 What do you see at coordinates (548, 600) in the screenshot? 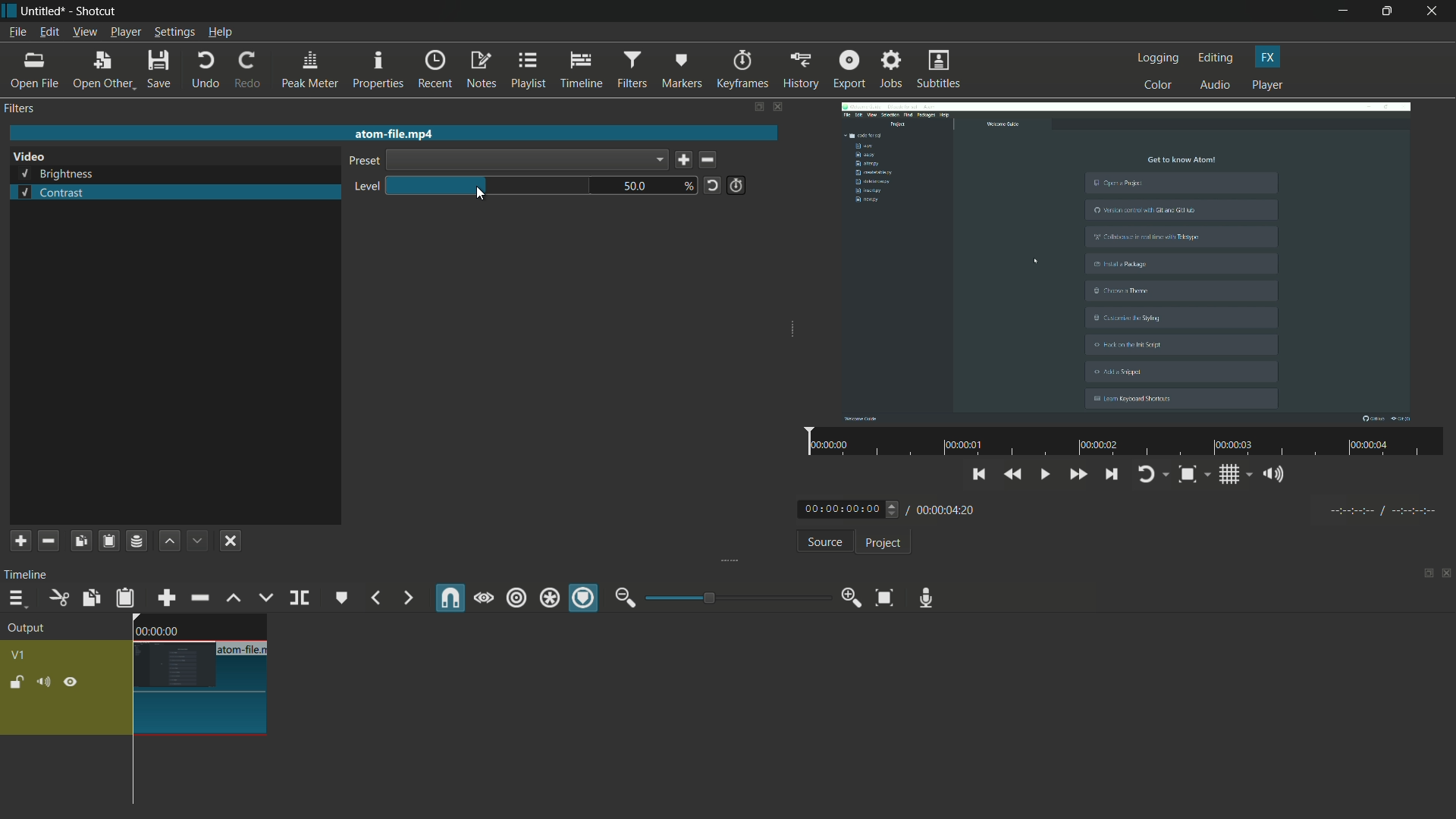
I see `ripple all tracks` at bounding box center [548, 600].